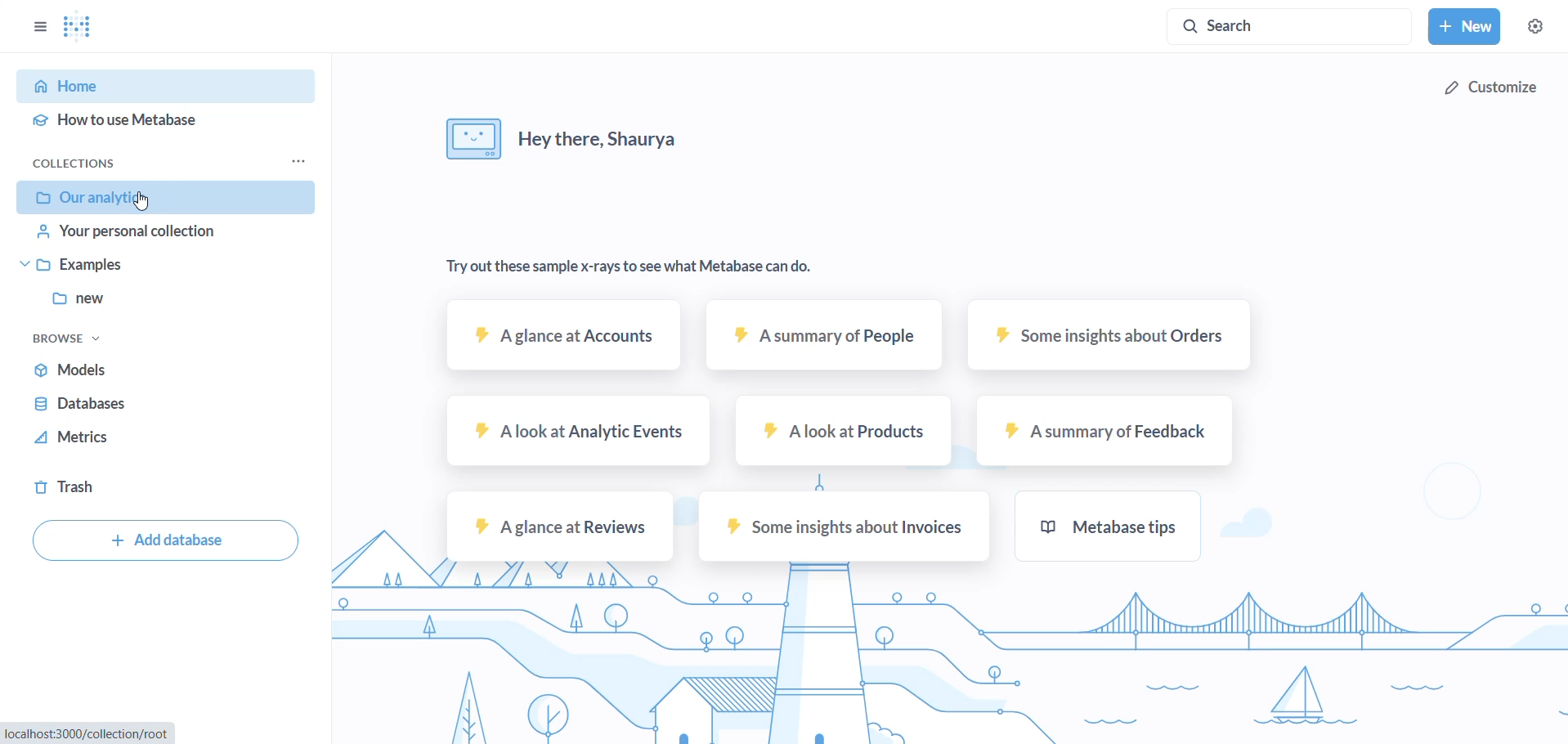 This screenshot has width=1568, height=744. Describe the element at coordinates (573, 432) in the screenshot. I see `A look at analytic event` at that location.